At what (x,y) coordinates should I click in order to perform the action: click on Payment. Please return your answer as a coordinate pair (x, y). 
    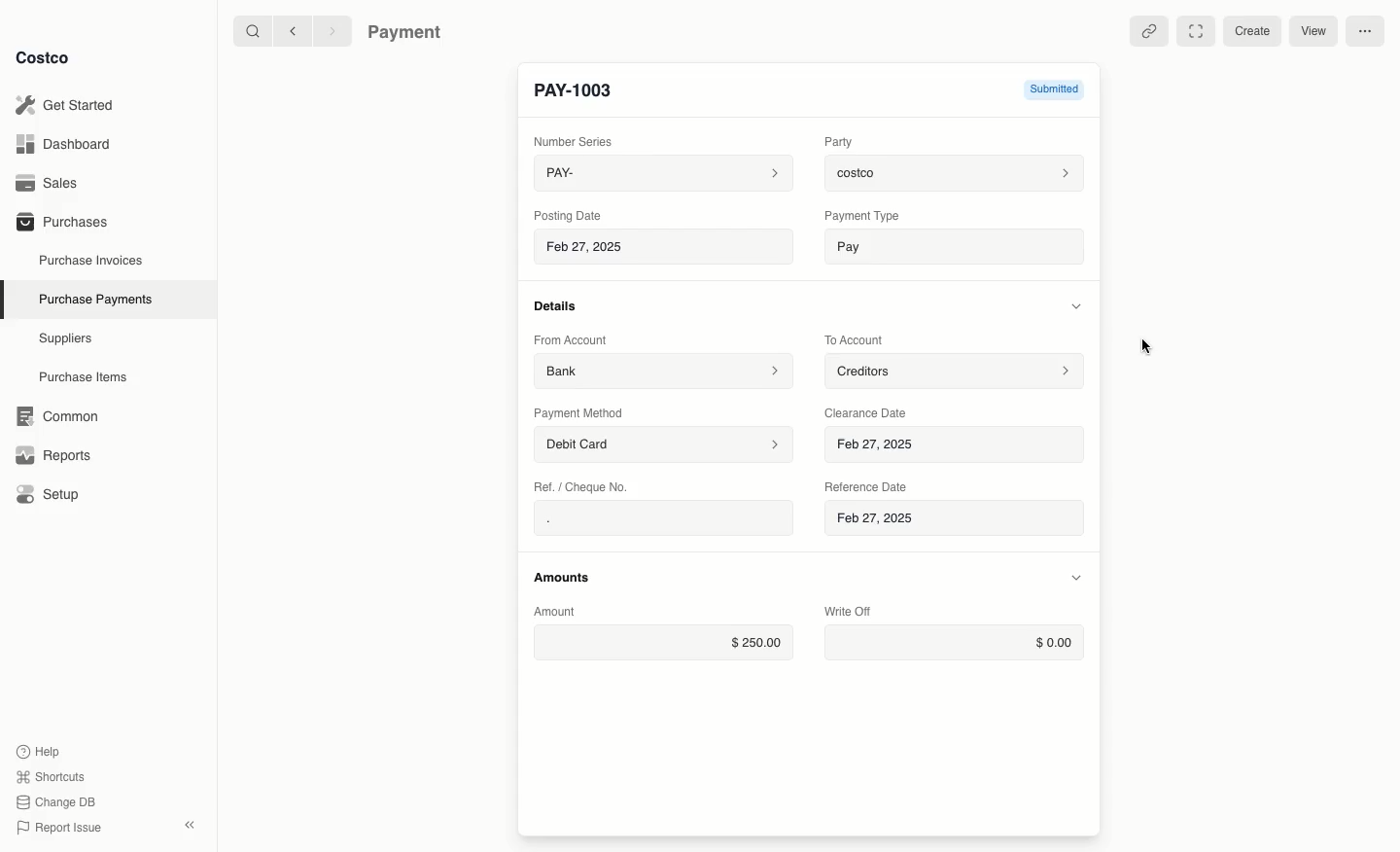
    Looking at the image, I should click on (409, 34).